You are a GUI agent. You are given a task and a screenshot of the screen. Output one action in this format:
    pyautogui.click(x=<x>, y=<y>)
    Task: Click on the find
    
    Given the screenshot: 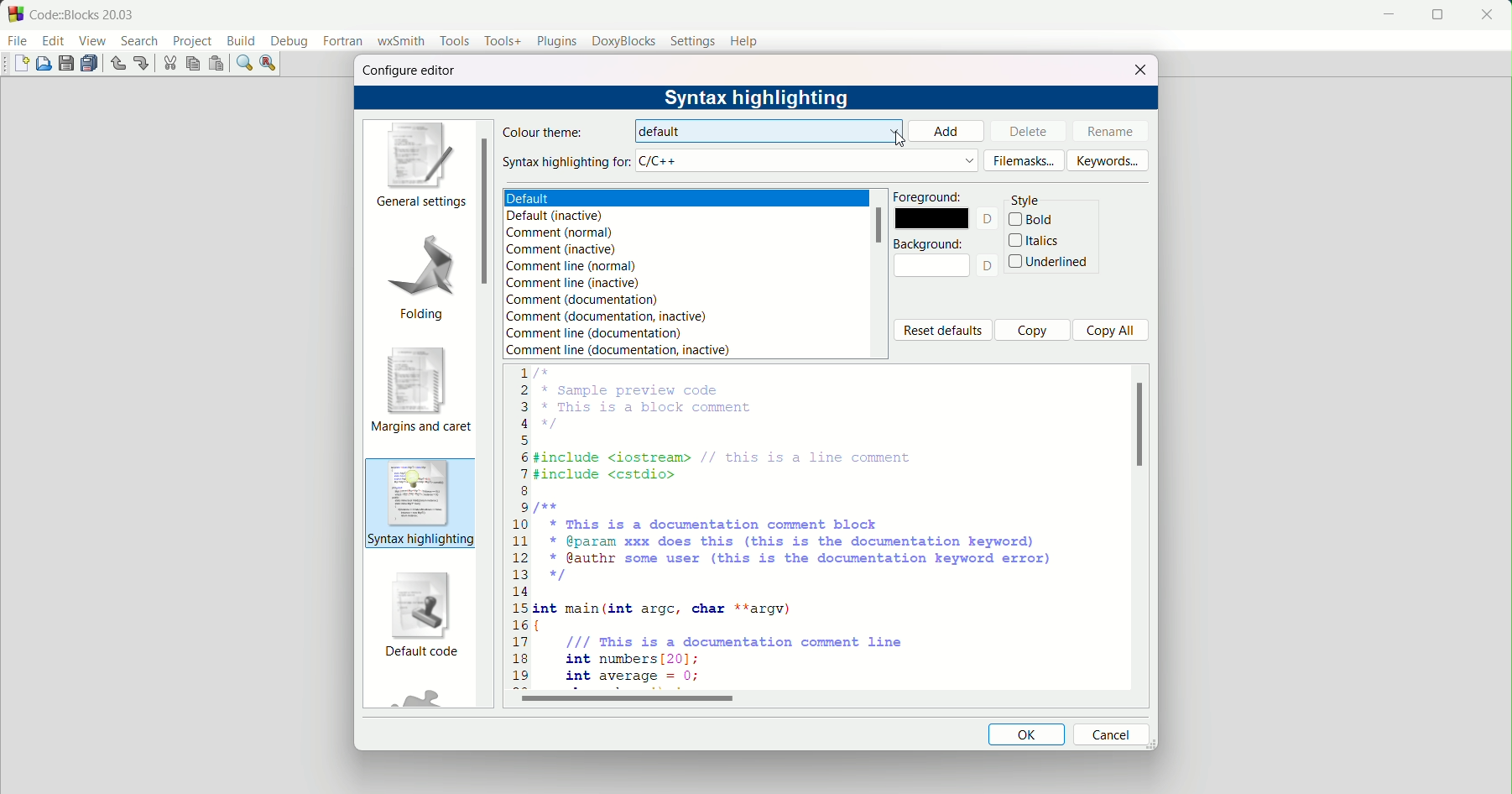 What is the action you would take?
    pyautogui.click(x=244, y=62)
    